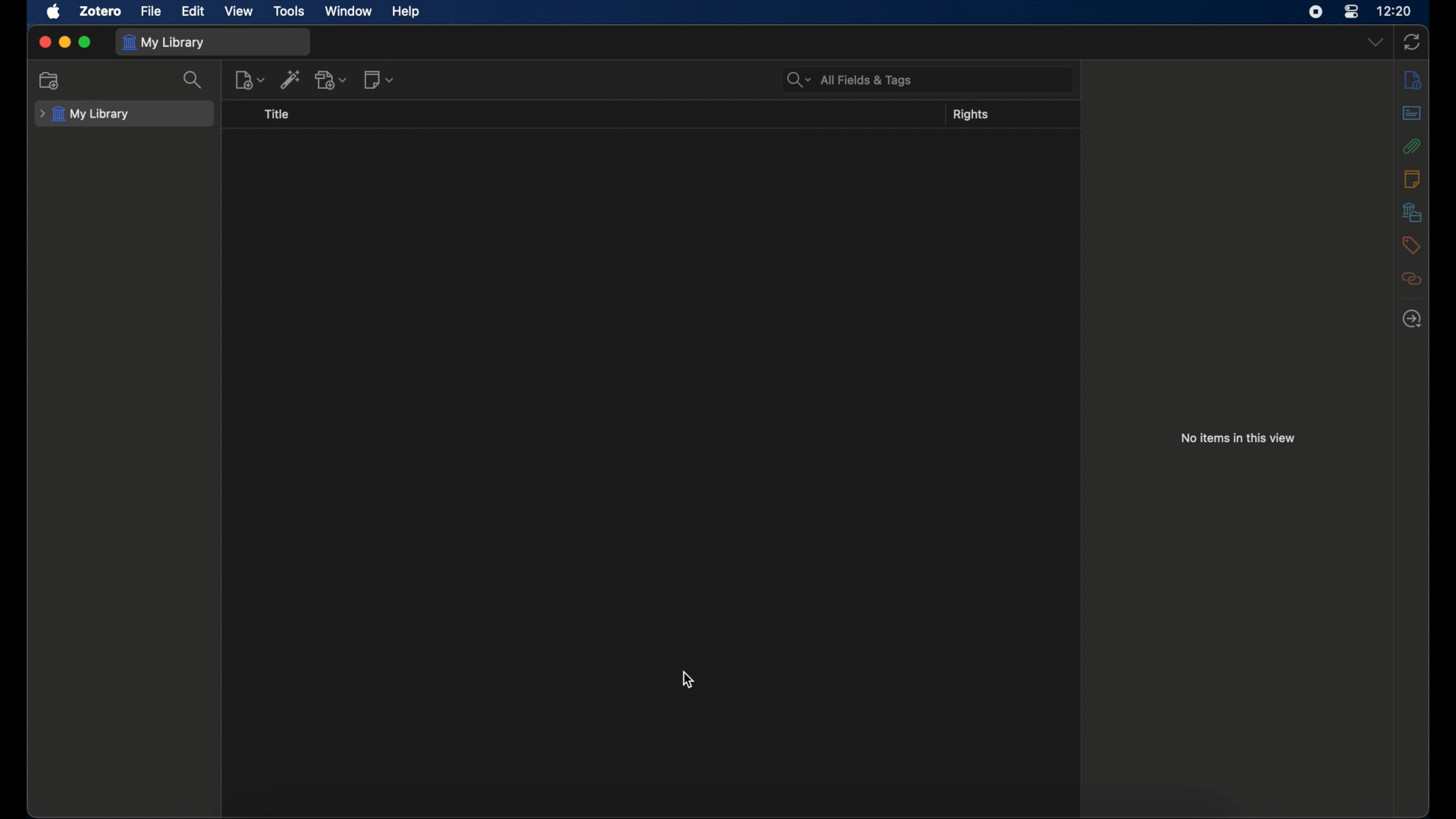 The width and height of the screenshot is (1456, 819). I want to click on zotero, so click(101, 11).